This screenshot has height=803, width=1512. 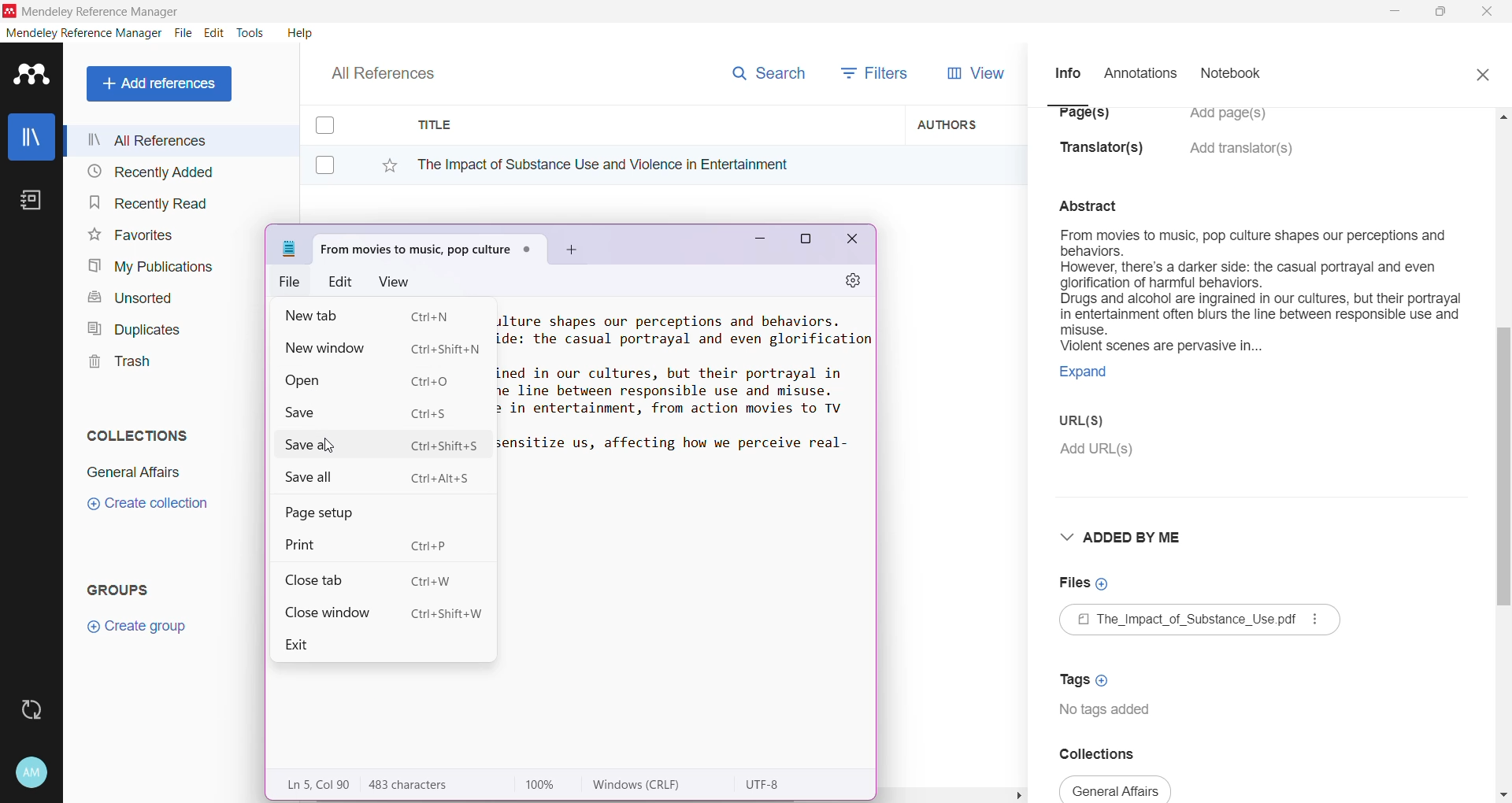 What do you see at coordinates (1106, 155) in the screenshot?
I see `Translator(s)` at bounding box center [1106, 155].